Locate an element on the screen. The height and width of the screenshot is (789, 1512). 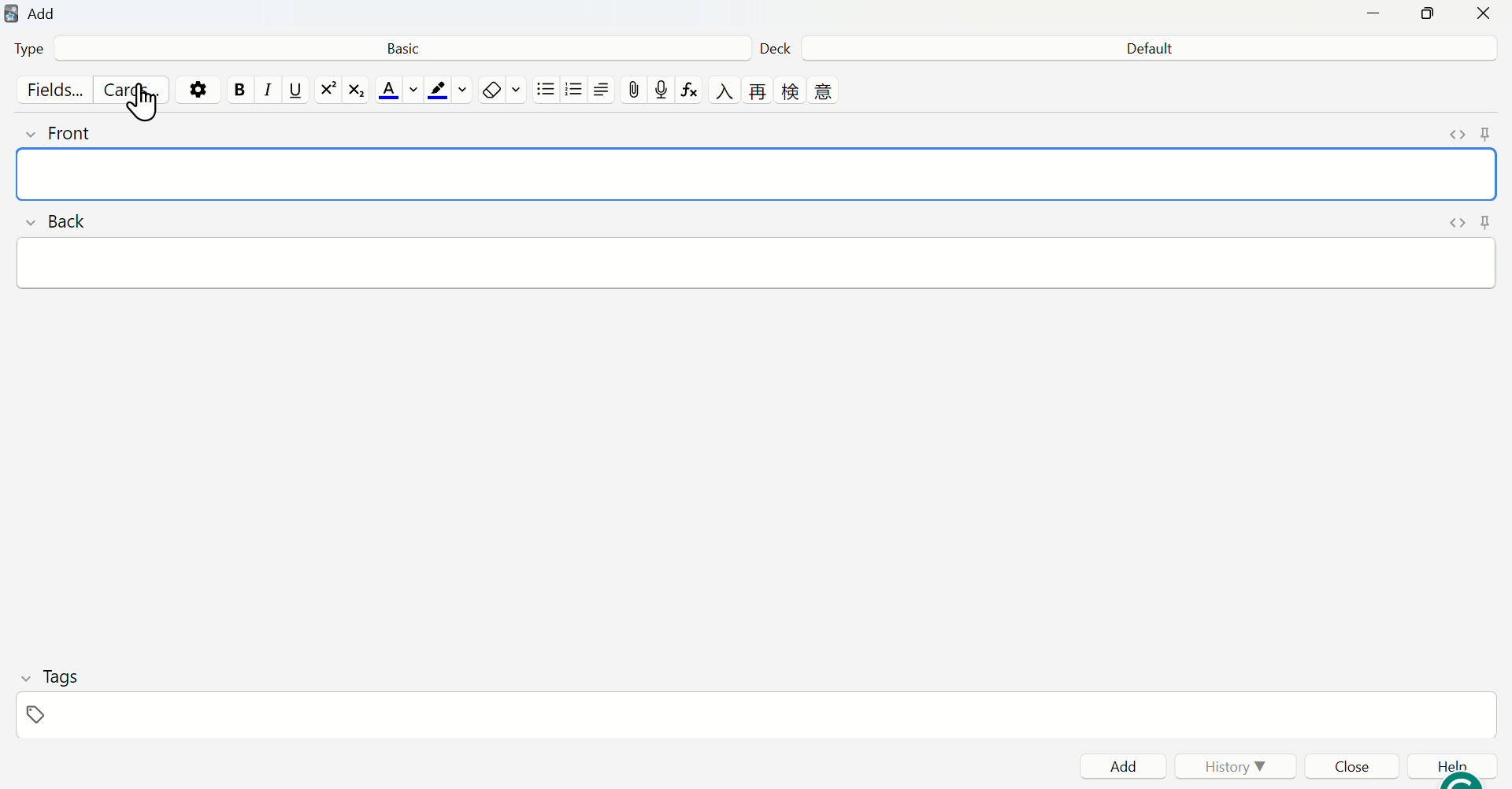
Text highlighting color is located at coordinates (449, 89).